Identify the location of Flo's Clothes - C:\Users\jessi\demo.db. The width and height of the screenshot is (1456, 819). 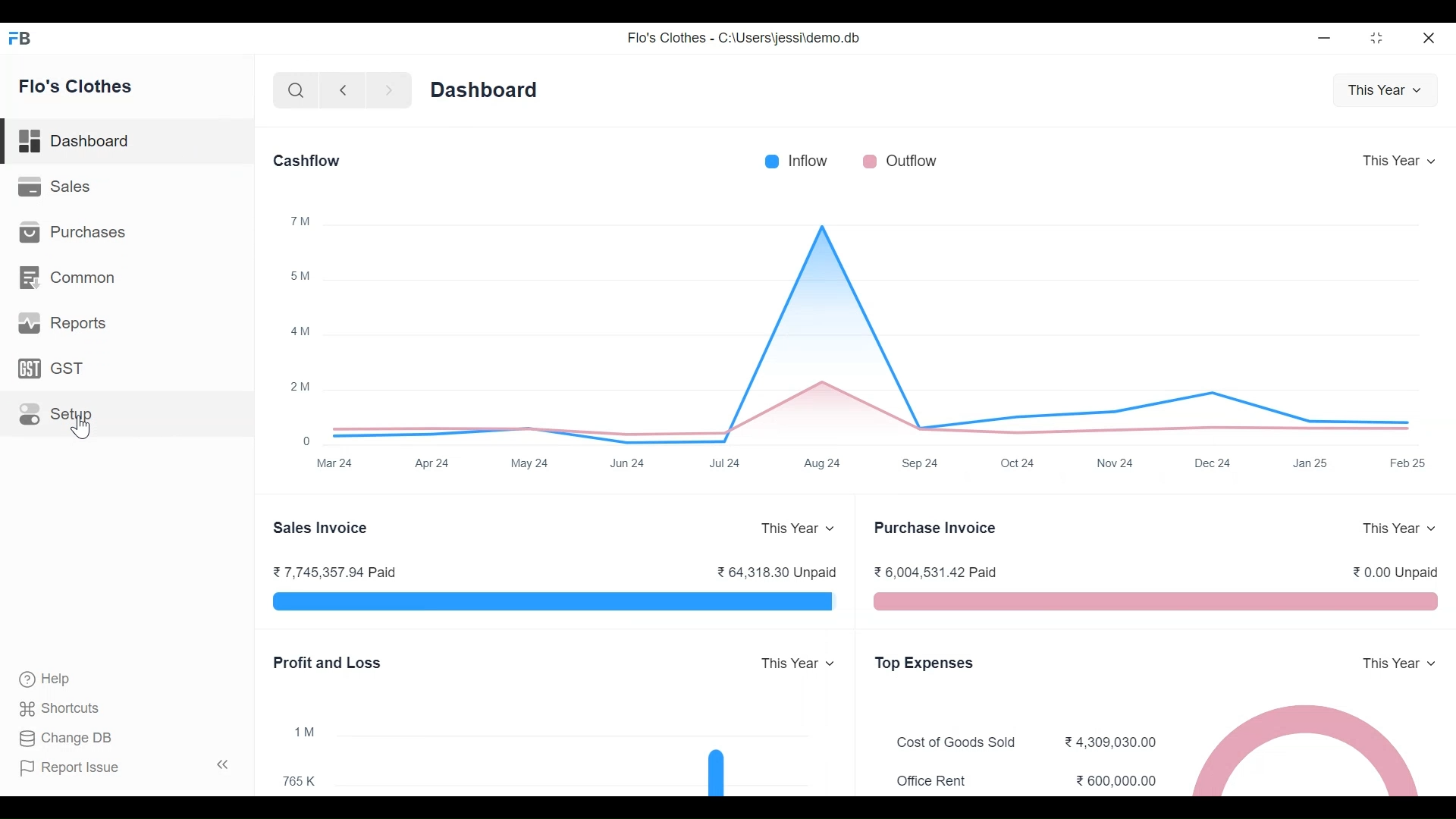
(745, 37).